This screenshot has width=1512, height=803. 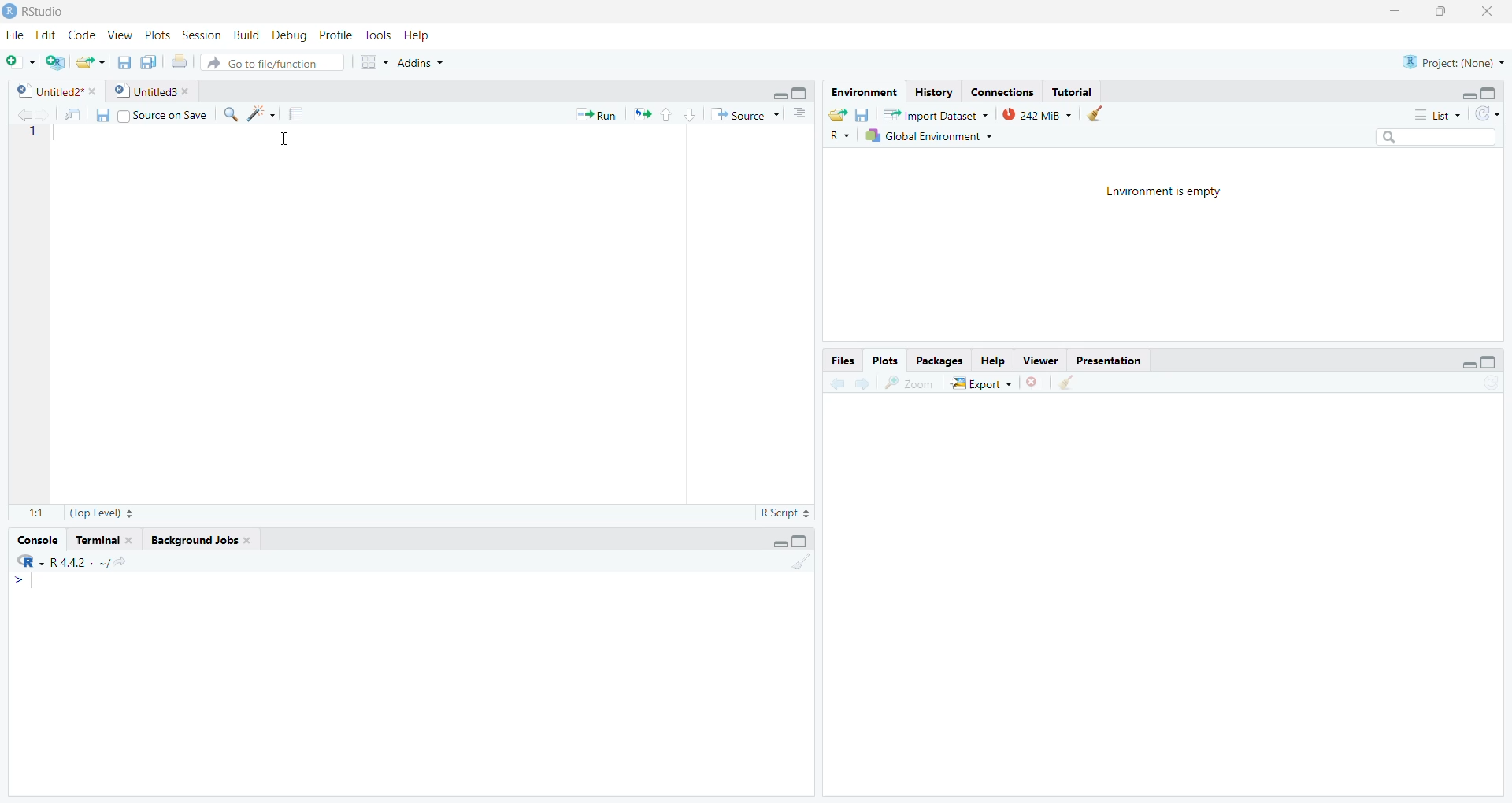 What do you see at coordinates (862, 383) in the screenshot?
I see `move forward` at bounding box center [862, 383].